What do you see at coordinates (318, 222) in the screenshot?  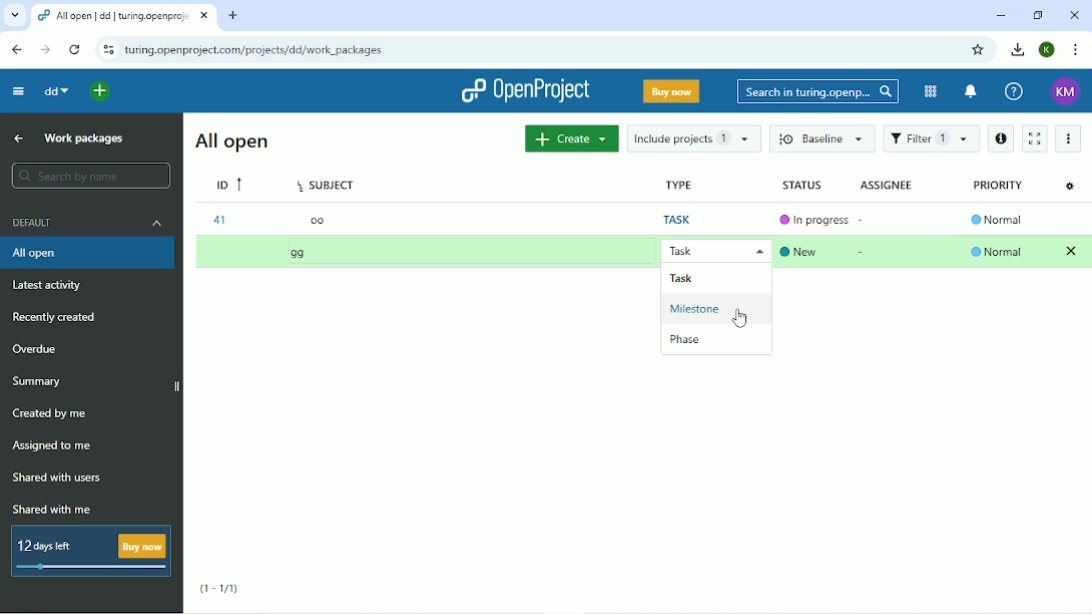 I see `oo` at bounding box center [318, 222].